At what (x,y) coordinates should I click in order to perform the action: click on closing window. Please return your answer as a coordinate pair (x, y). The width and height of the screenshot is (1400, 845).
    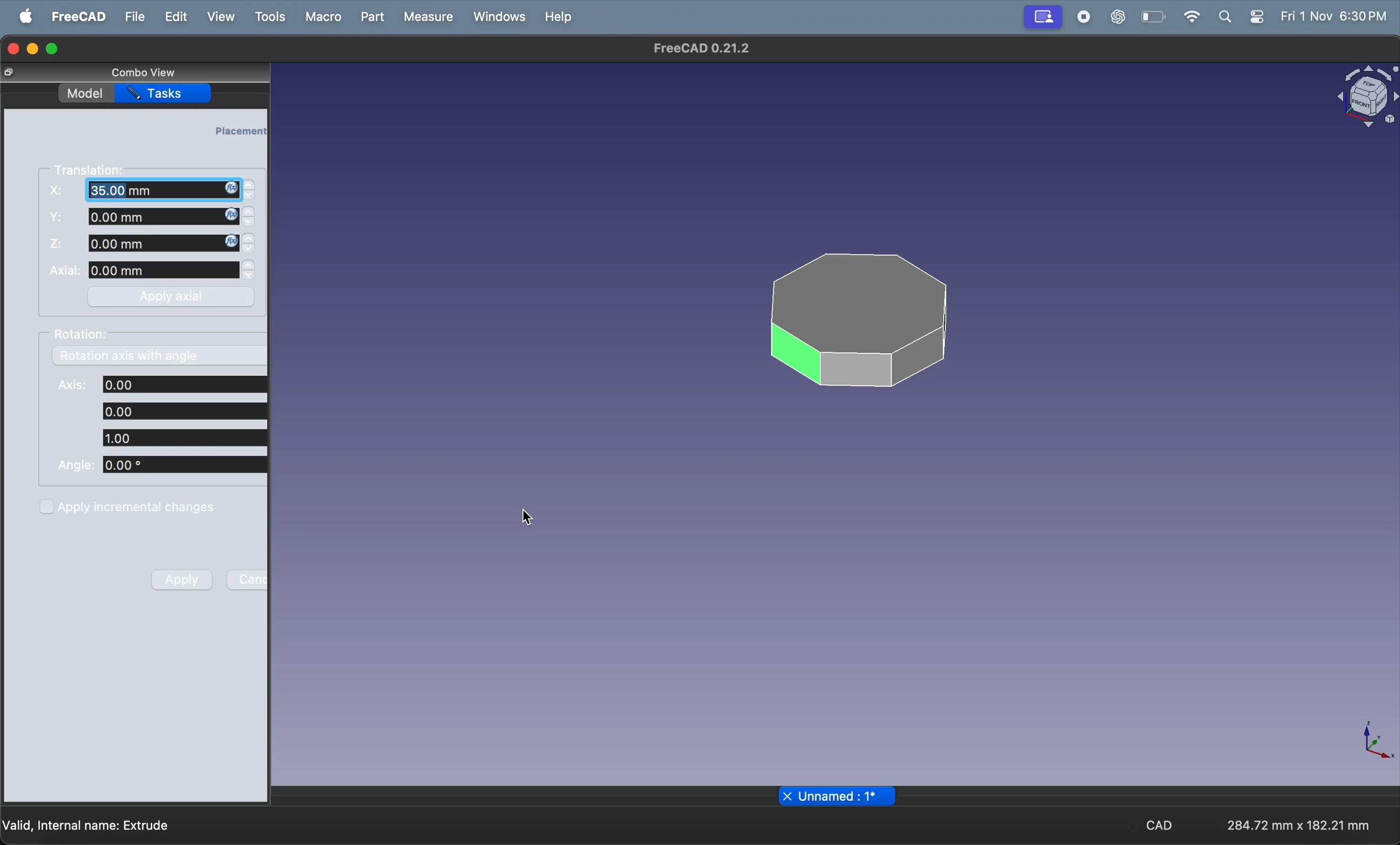
    Looking at the image, I should click on (12, 47).